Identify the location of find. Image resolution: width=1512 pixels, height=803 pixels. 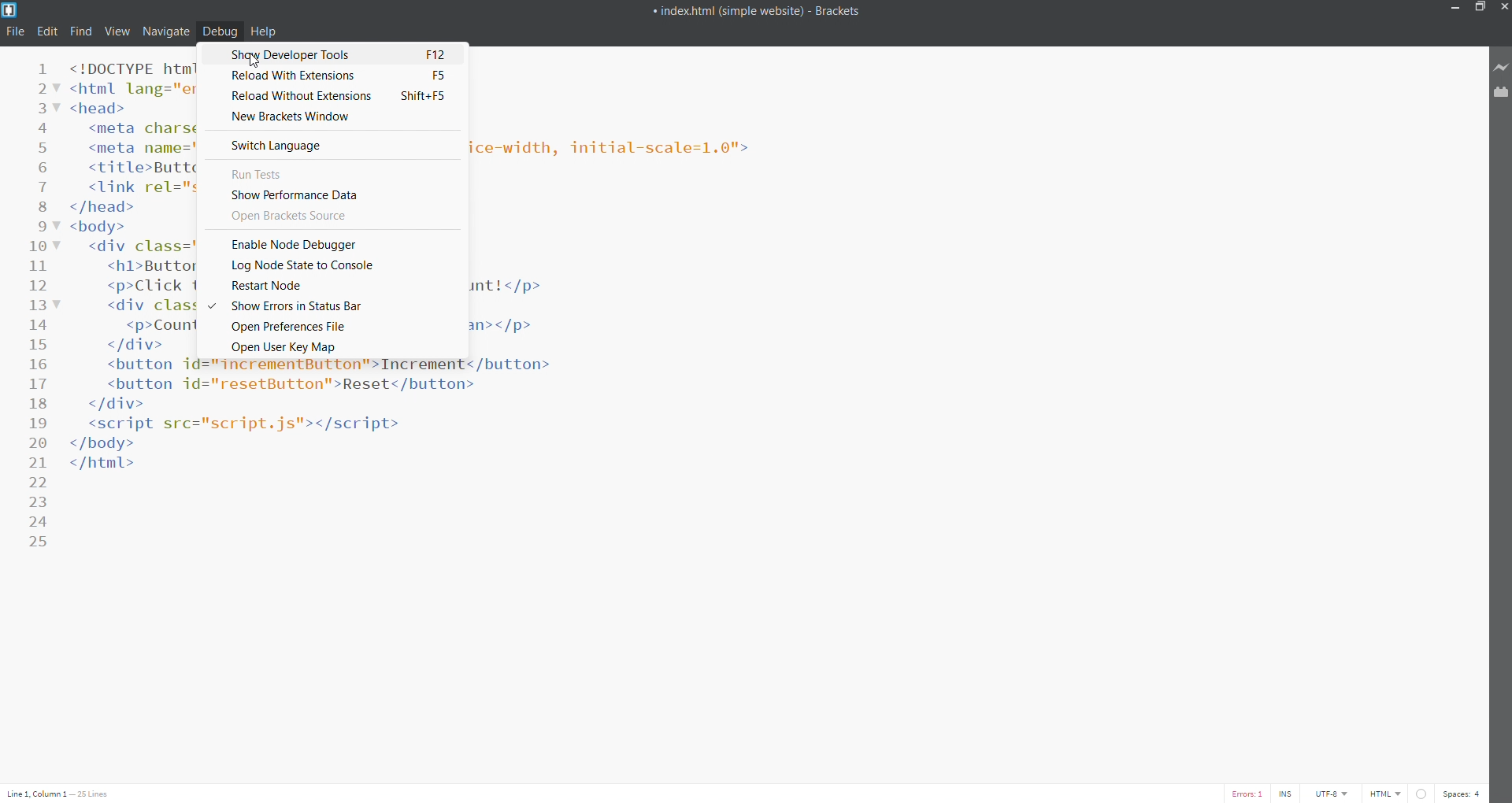
(81, 31).